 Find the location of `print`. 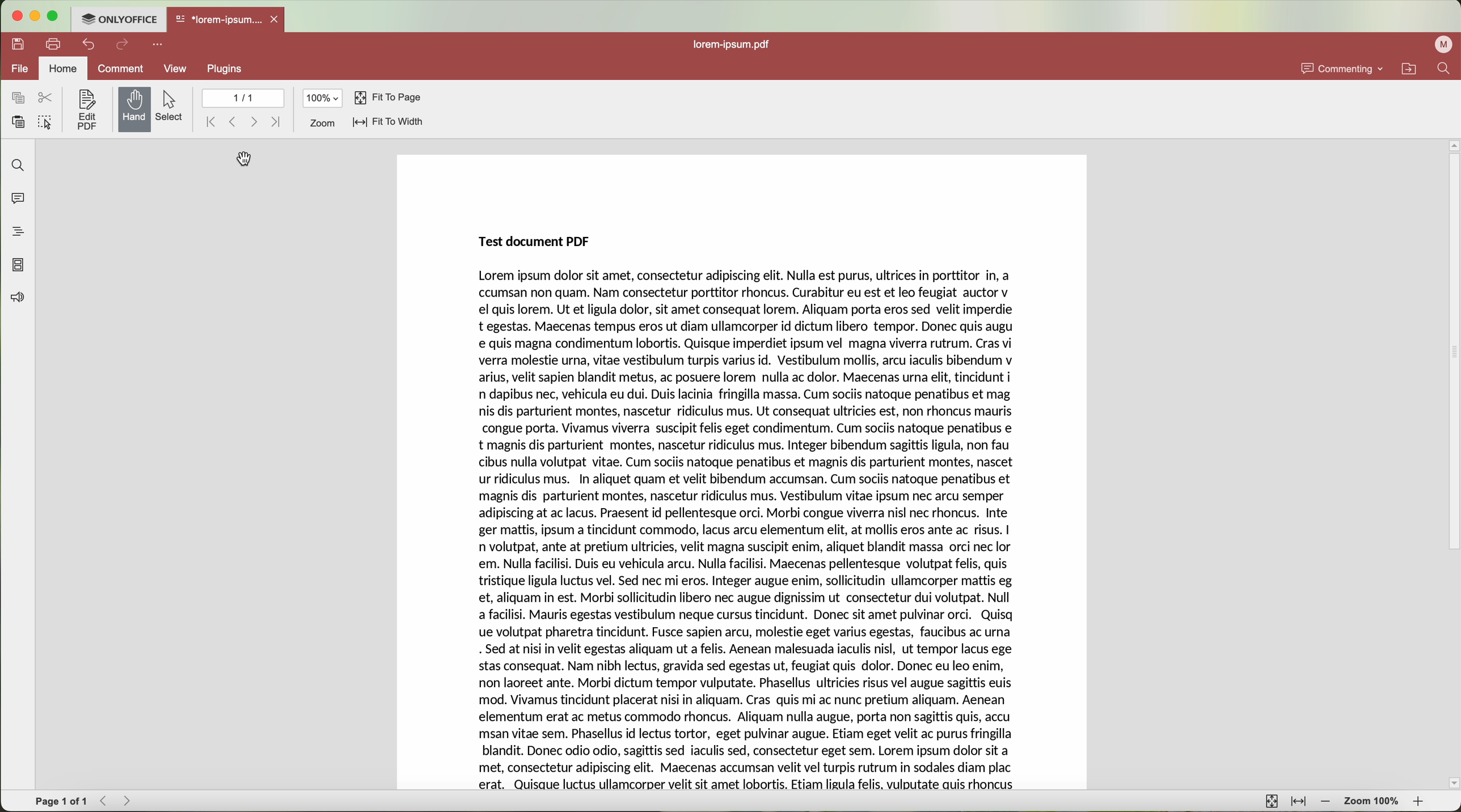

print is located at coordinates (54, 43).